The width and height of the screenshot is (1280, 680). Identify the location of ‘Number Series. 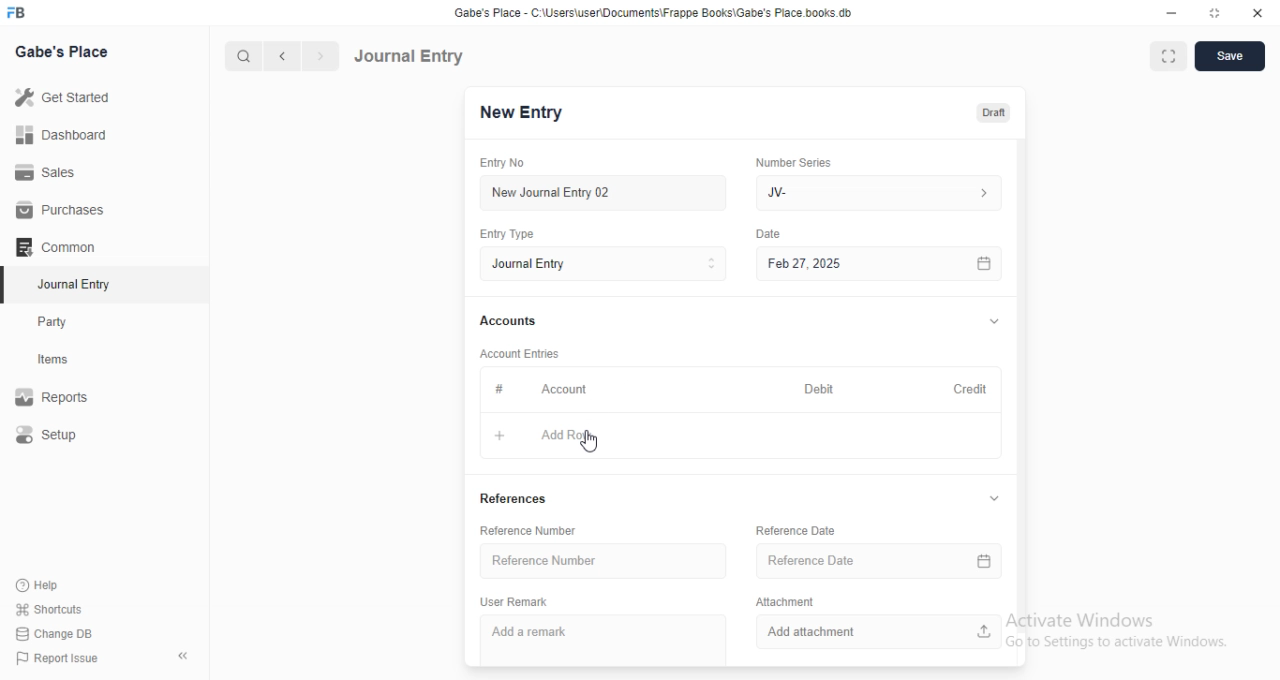
(794, 162).